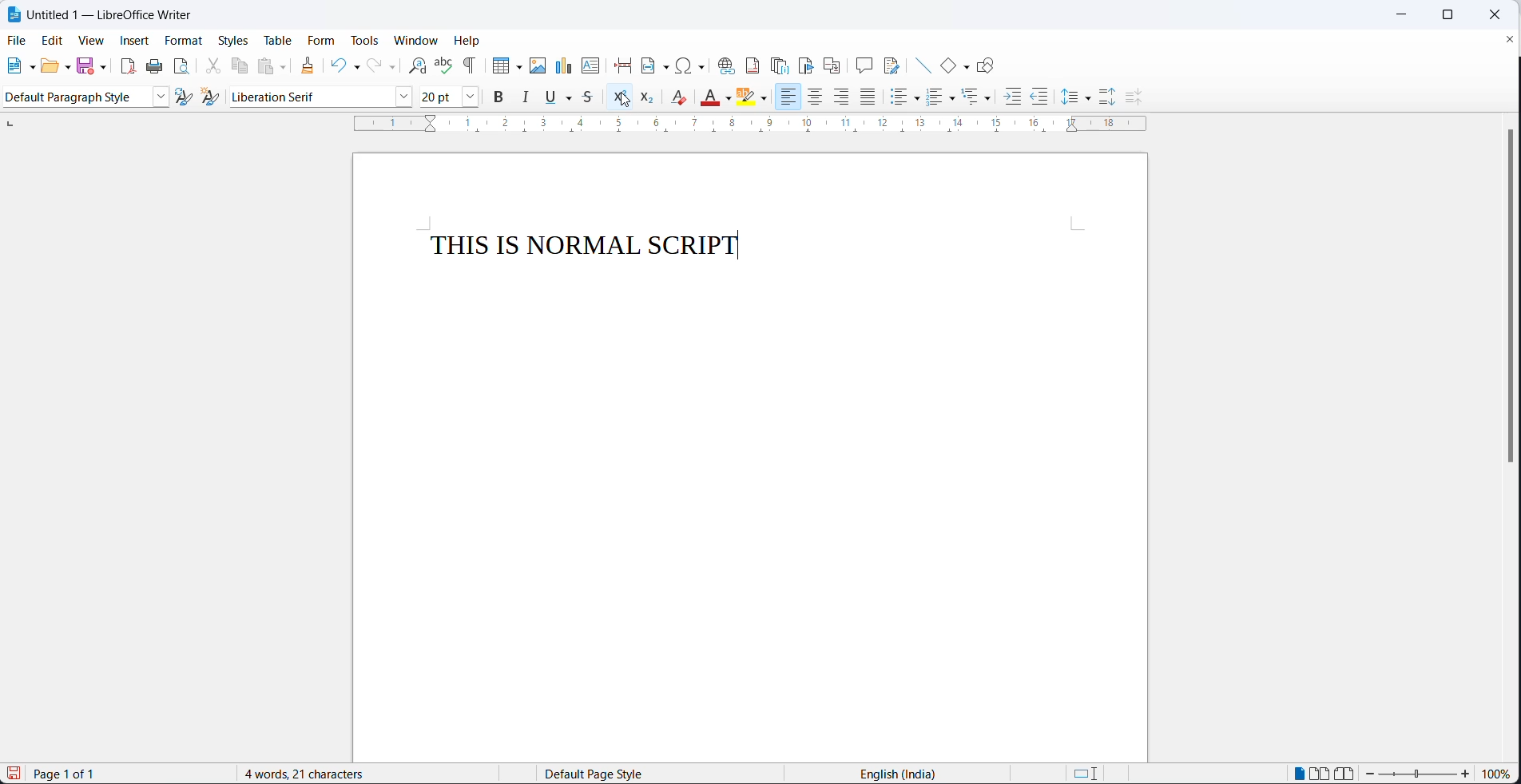 This screenshot has height=784, width=1521. Describe the element at coordinates (267, 65) in the screenshot. I see `paste` at that location.